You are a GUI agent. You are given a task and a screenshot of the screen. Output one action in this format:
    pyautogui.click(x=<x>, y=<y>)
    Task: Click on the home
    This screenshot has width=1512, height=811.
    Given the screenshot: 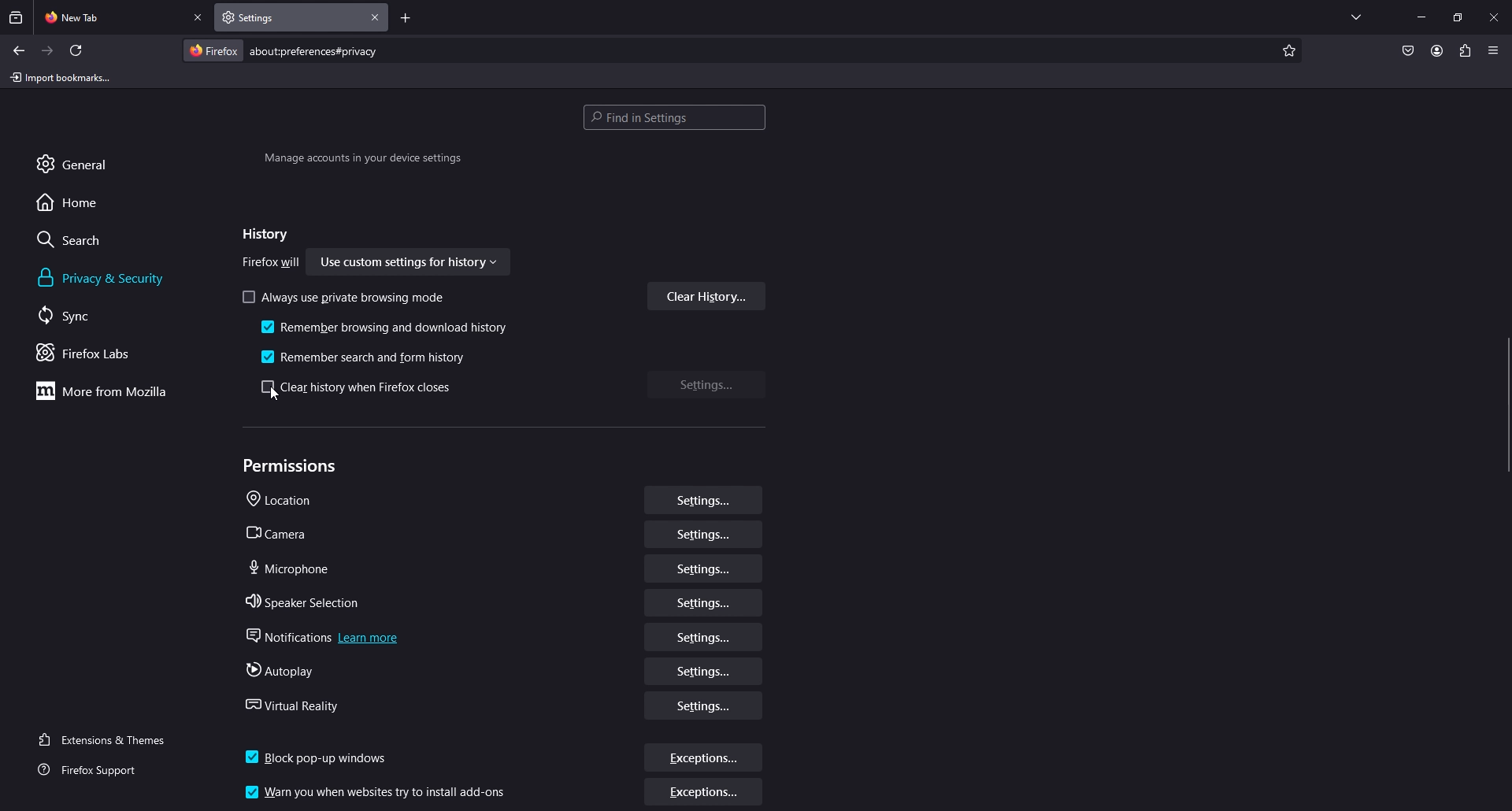 What is the action you would take?
    pyautogui.click(x=81, y=202)
    